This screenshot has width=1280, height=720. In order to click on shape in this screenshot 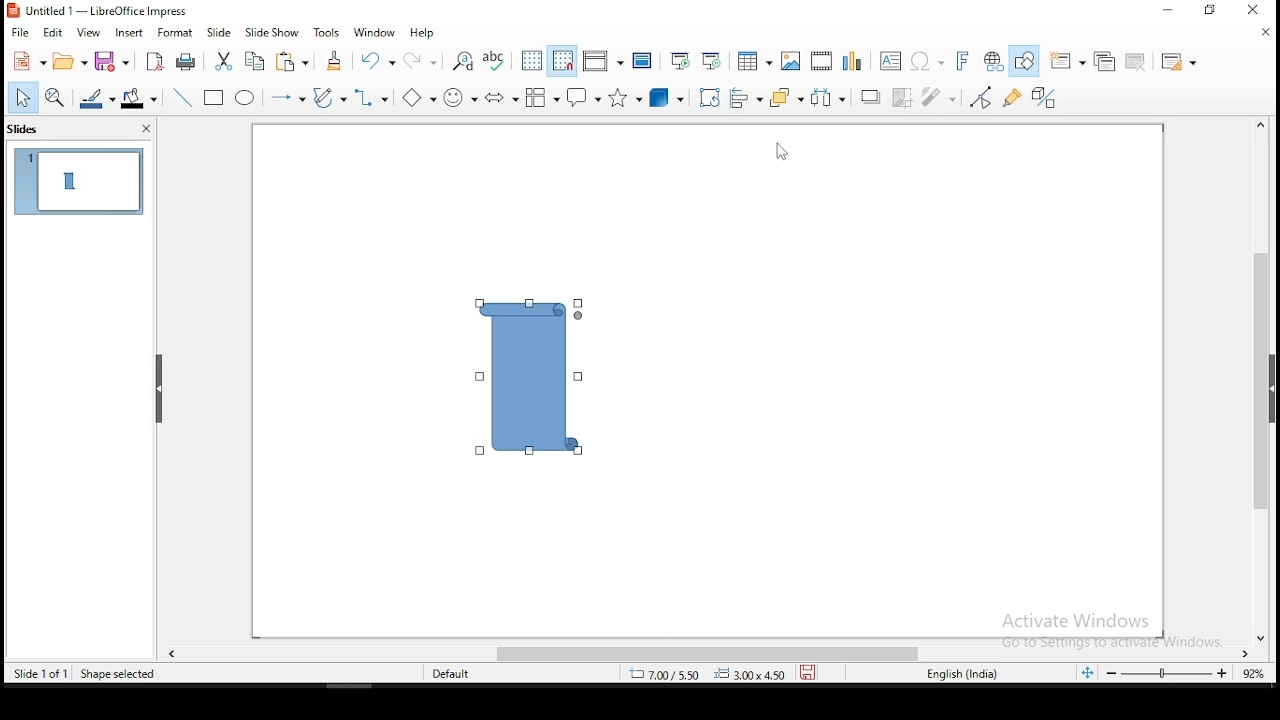, I will do `click(531, 378)`.